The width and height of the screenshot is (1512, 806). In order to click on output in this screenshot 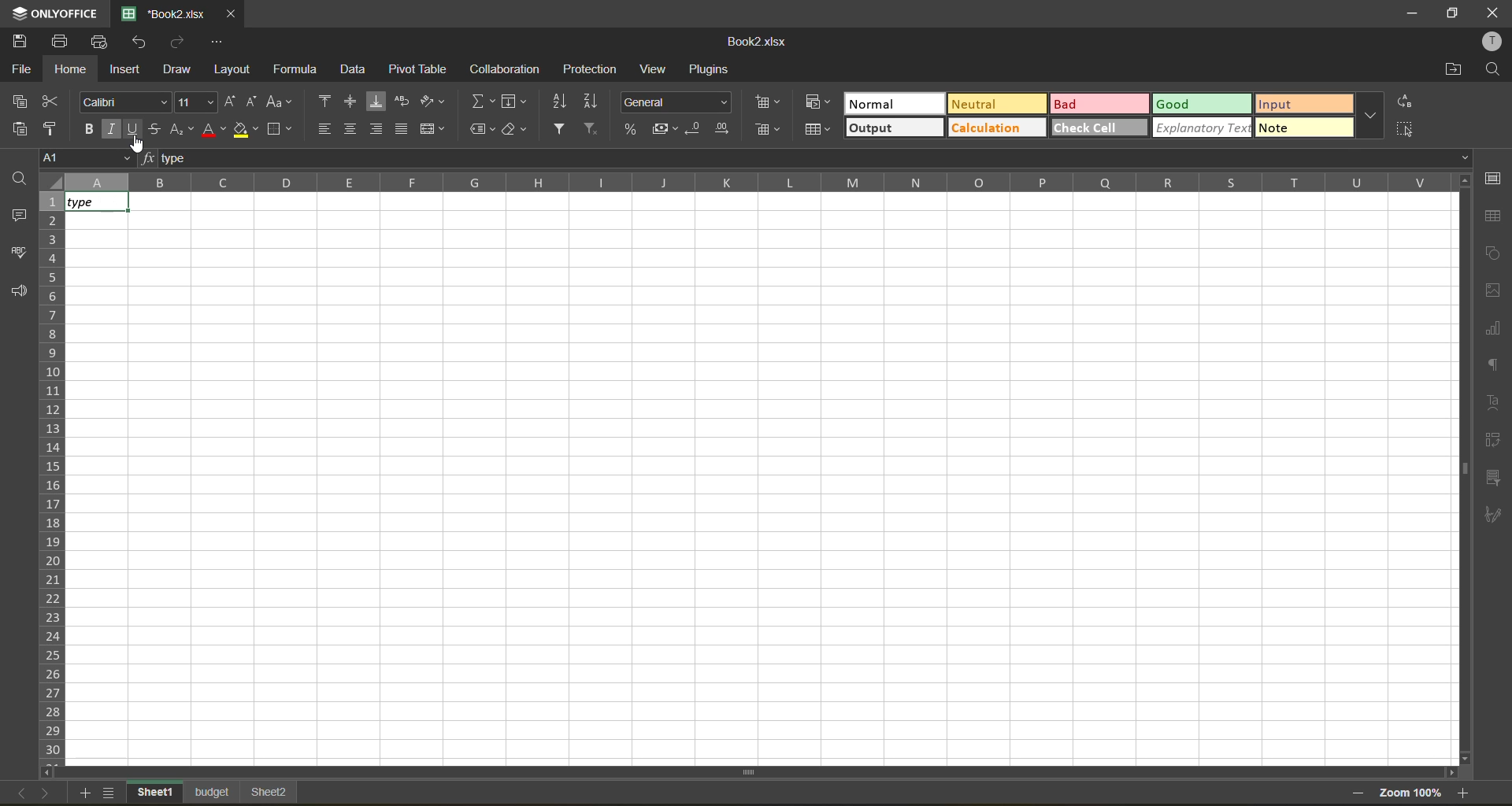, I will do `click(893, 128)`.